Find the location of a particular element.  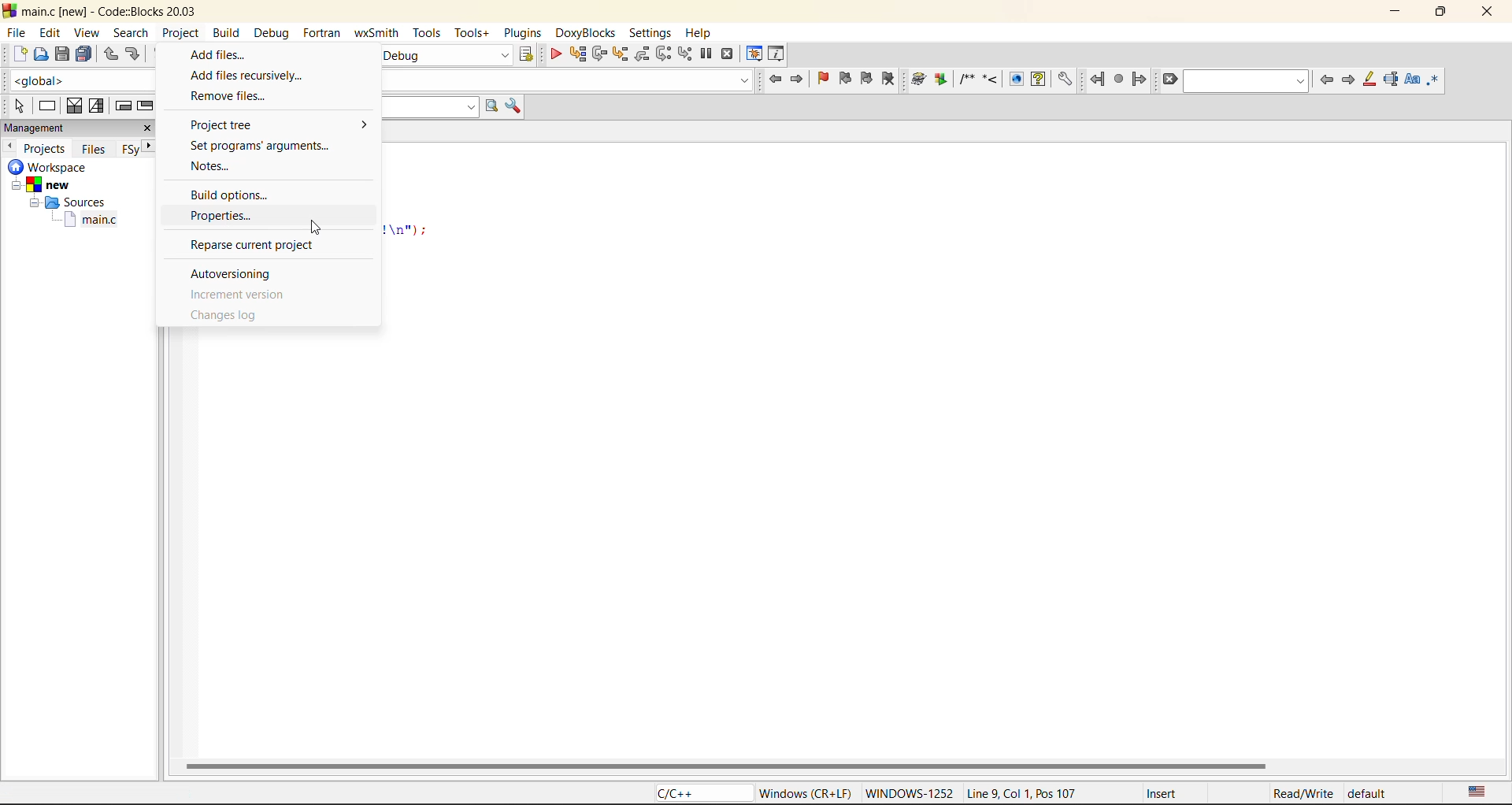

add files is located at coordinates (222, 52).